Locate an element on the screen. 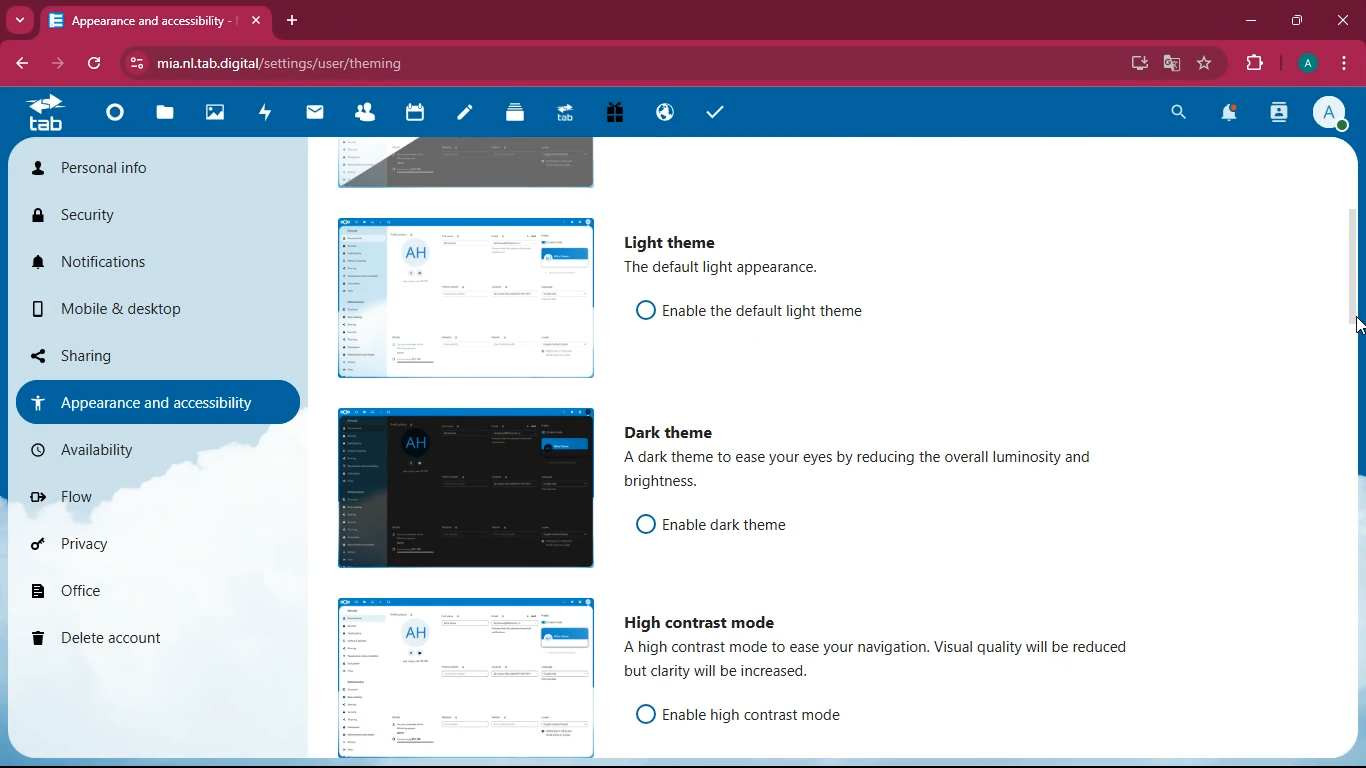  on/off button is located at coordinates (640, 523).